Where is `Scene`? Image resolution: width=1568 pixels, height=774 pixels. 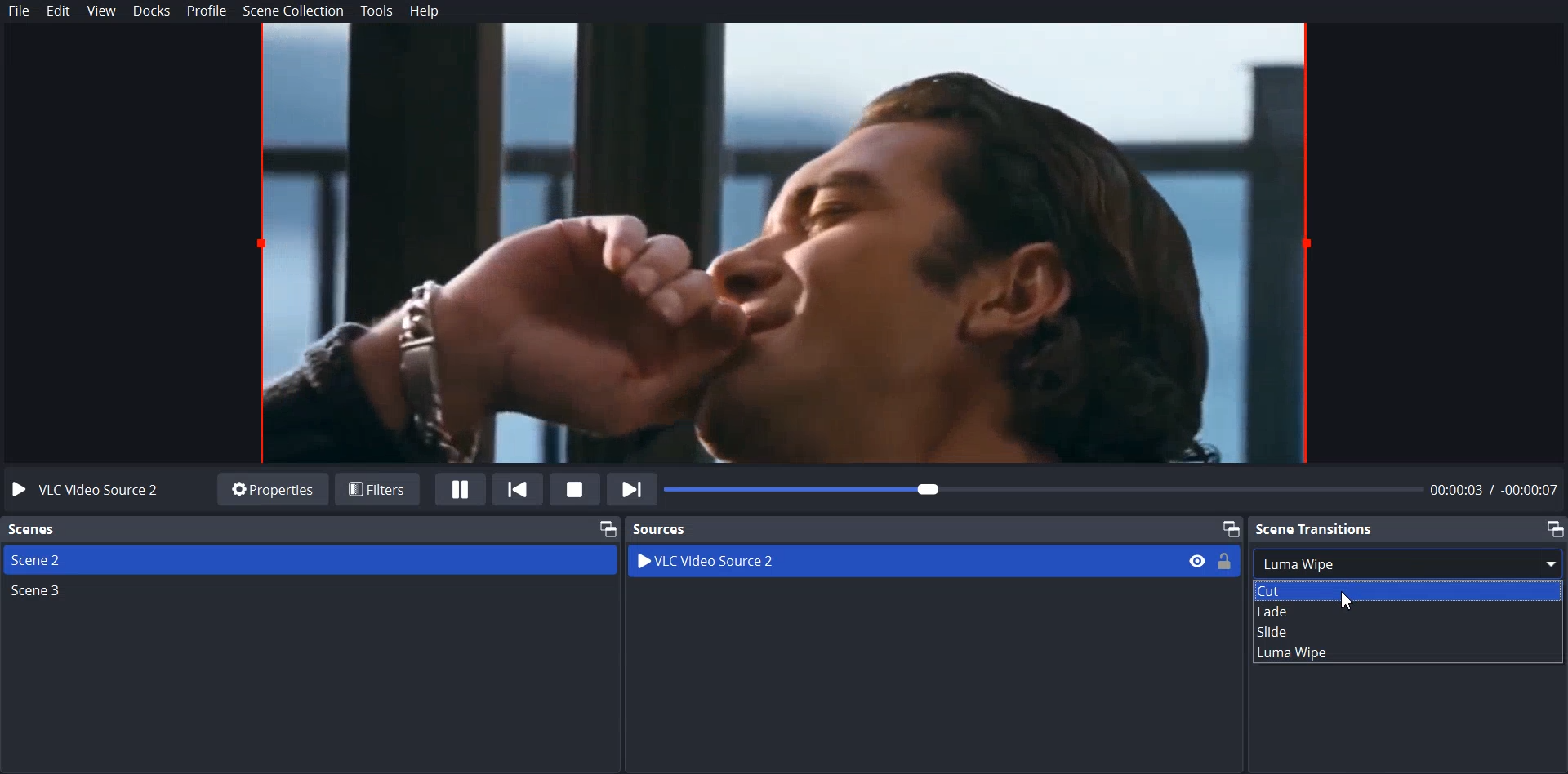 Scene is located at coordinates (33, 530).